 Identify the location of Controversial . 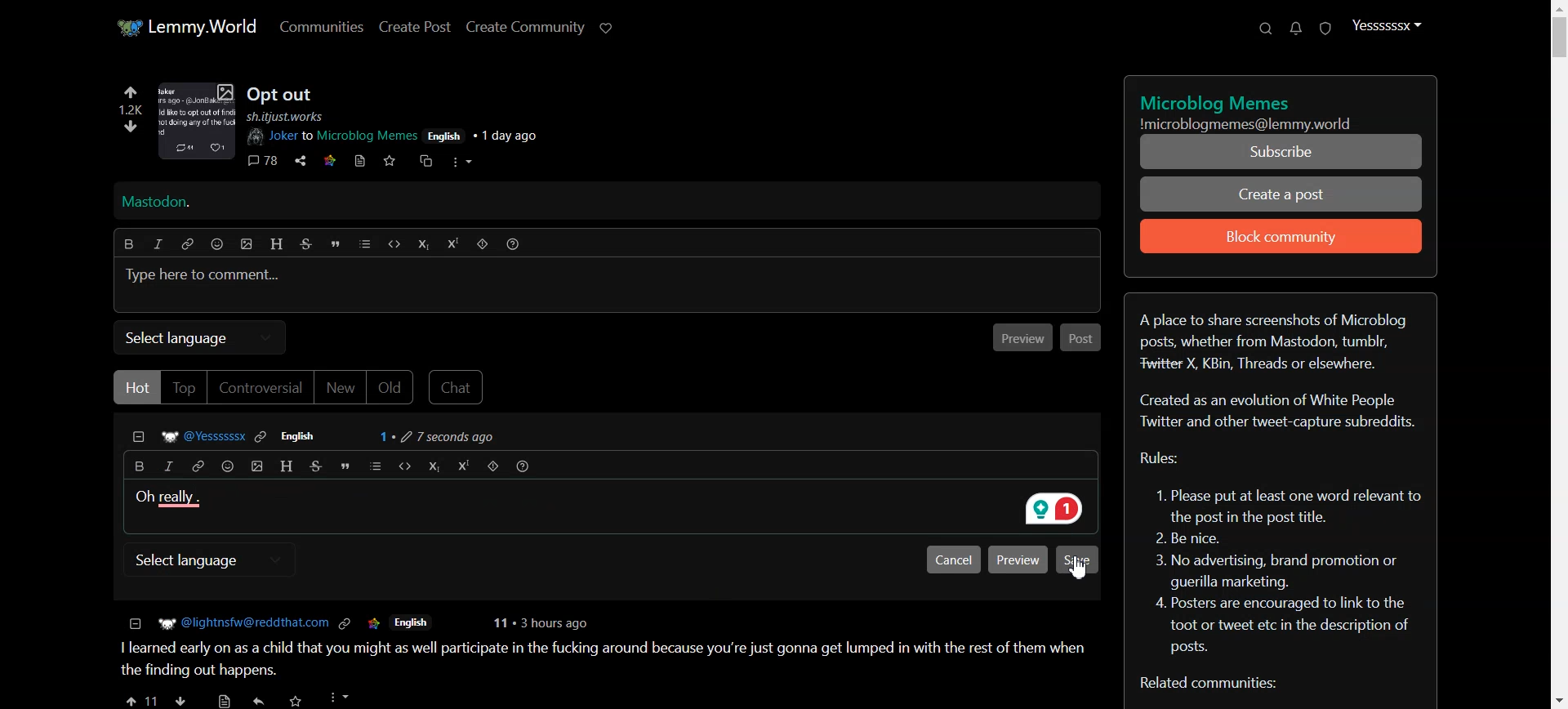
(261, 388).